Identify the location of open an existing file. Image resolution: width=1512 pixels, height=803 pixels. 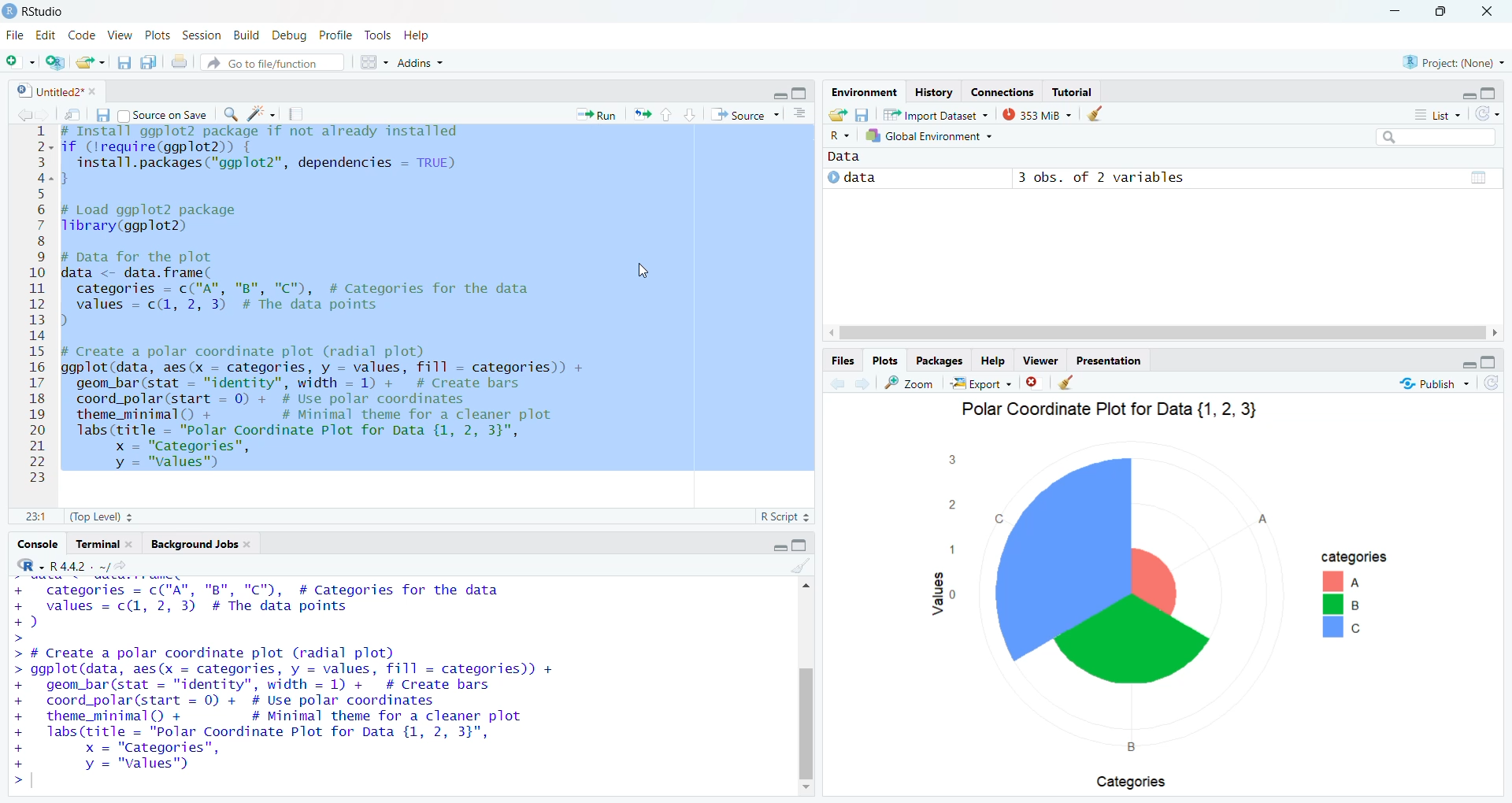
(91, 62).